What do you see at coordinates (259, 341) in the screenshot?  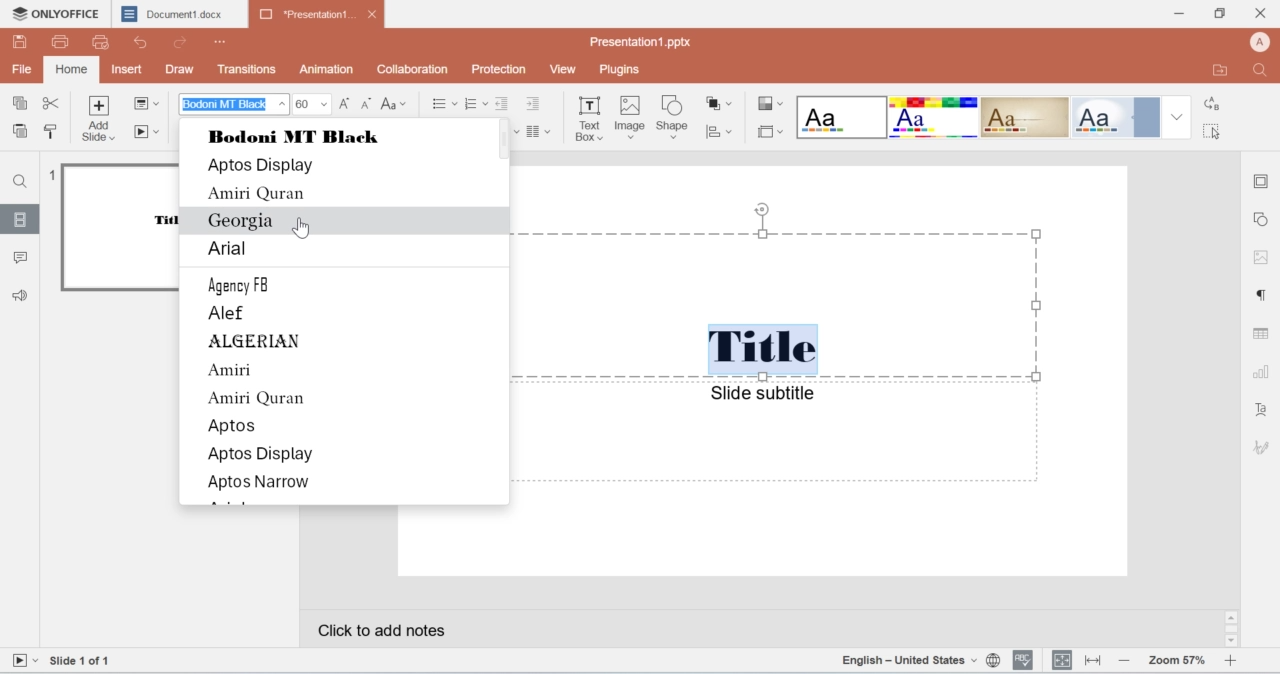 I see `ALGERIAN` at bounding box center [259, 341].